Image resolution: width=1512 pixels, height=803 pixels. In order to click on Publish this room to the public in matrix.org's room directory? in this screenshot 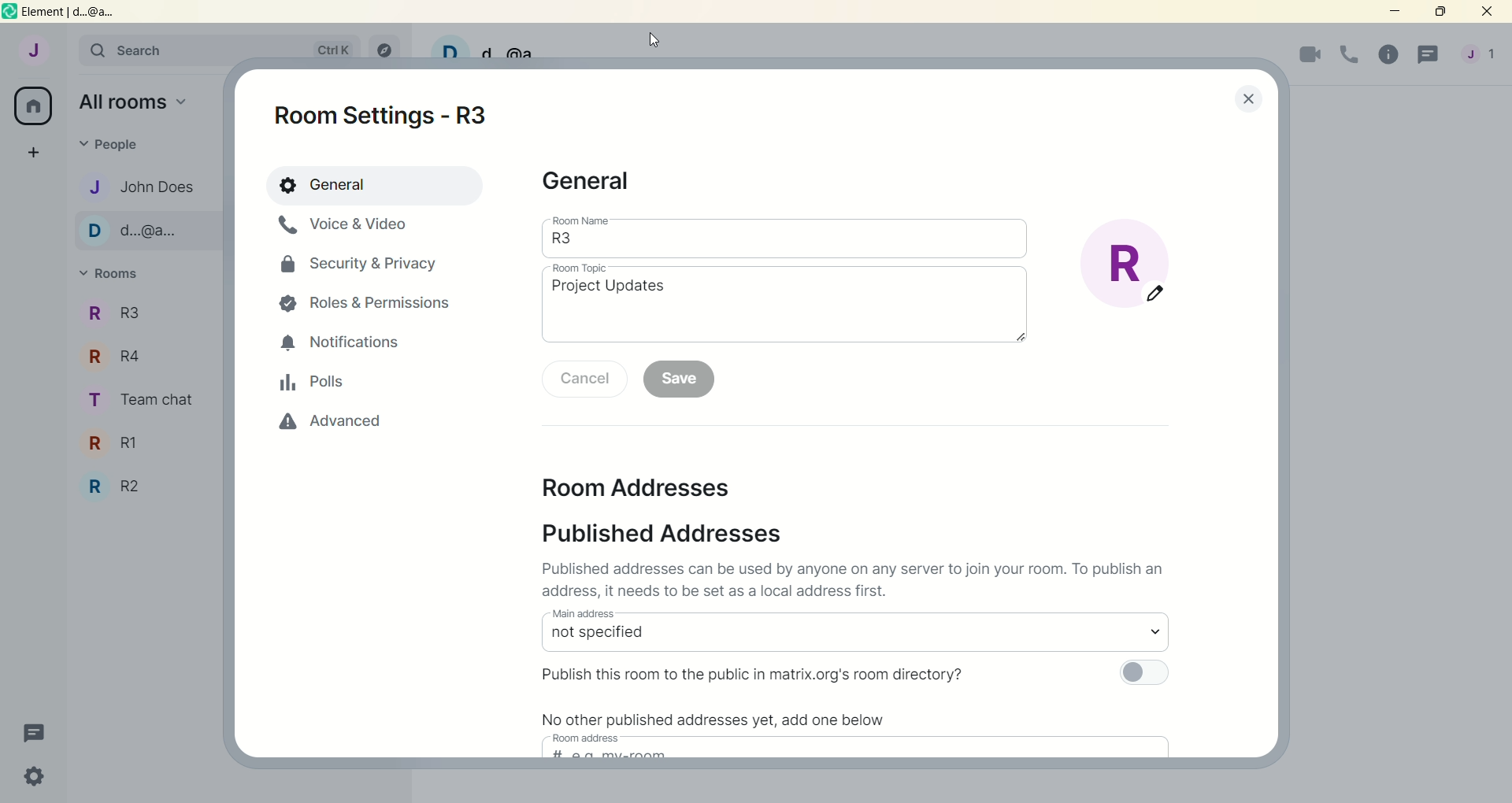, I will do `click(749, 675)`.